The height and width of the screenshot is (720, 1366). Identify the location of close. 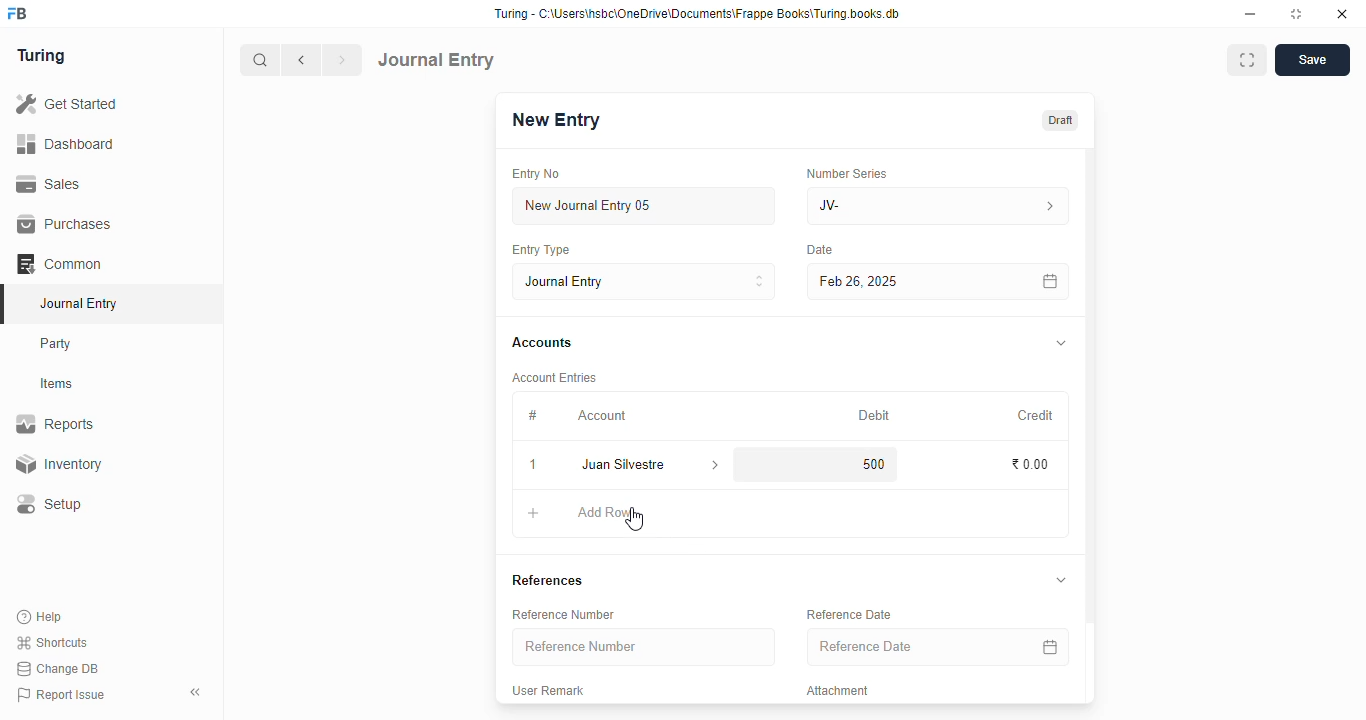
(1342, 14).